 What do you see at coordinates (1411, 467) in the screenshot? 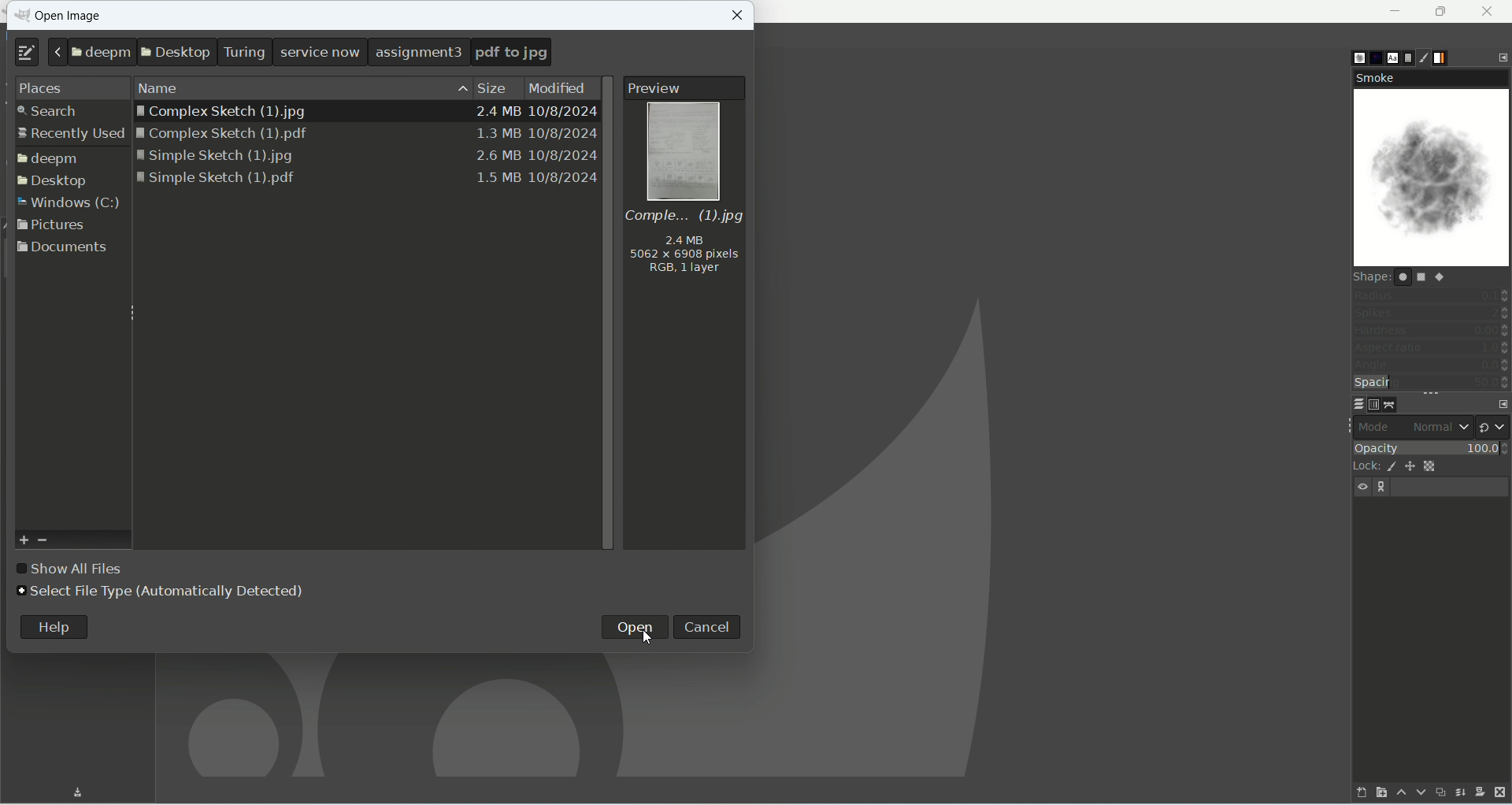
I see `lock position and size` at bounding box center [1411, 467].